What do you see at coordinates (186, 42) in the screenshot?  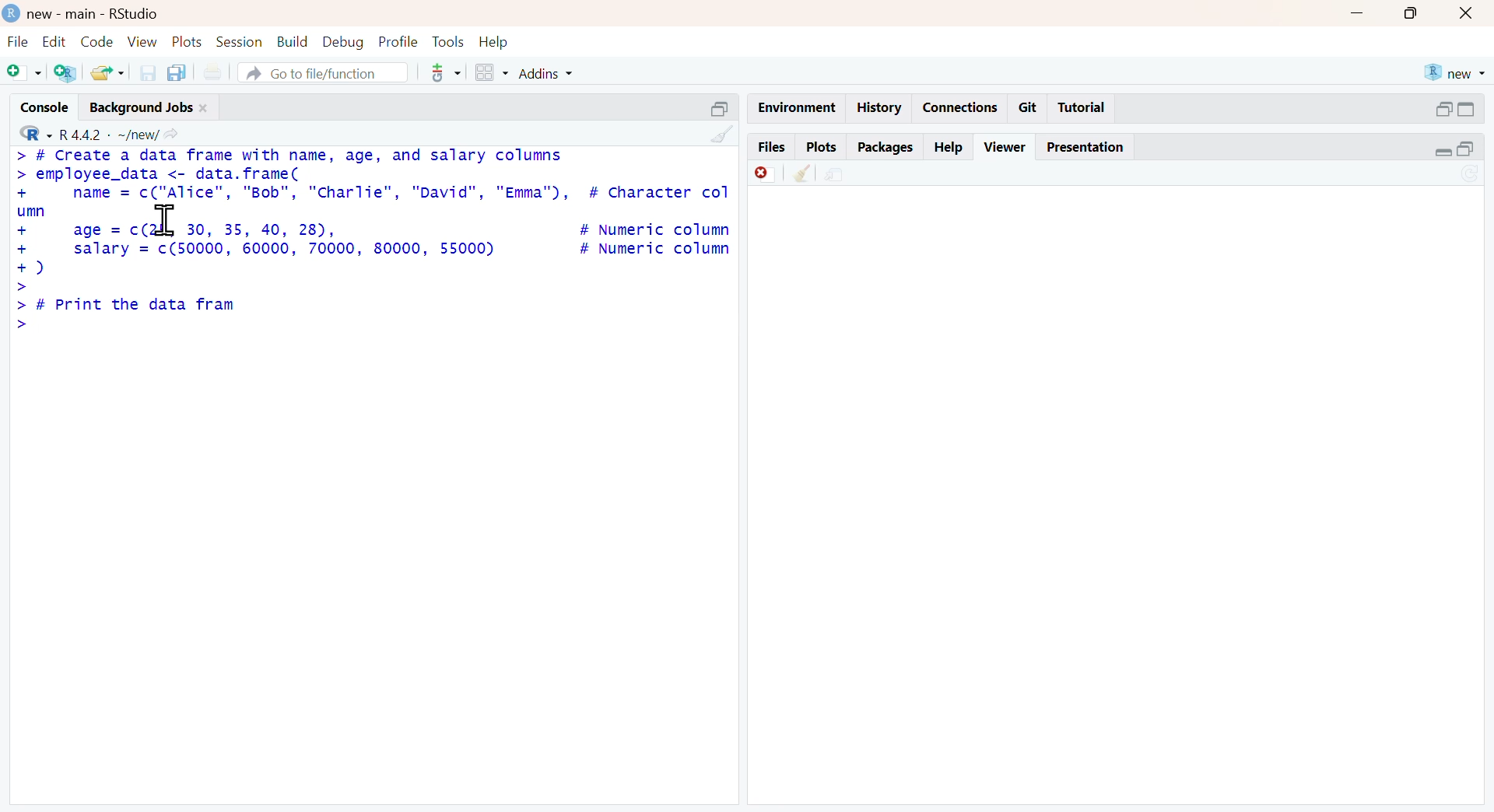 I see `Plots` at bounding box center [186, 42].